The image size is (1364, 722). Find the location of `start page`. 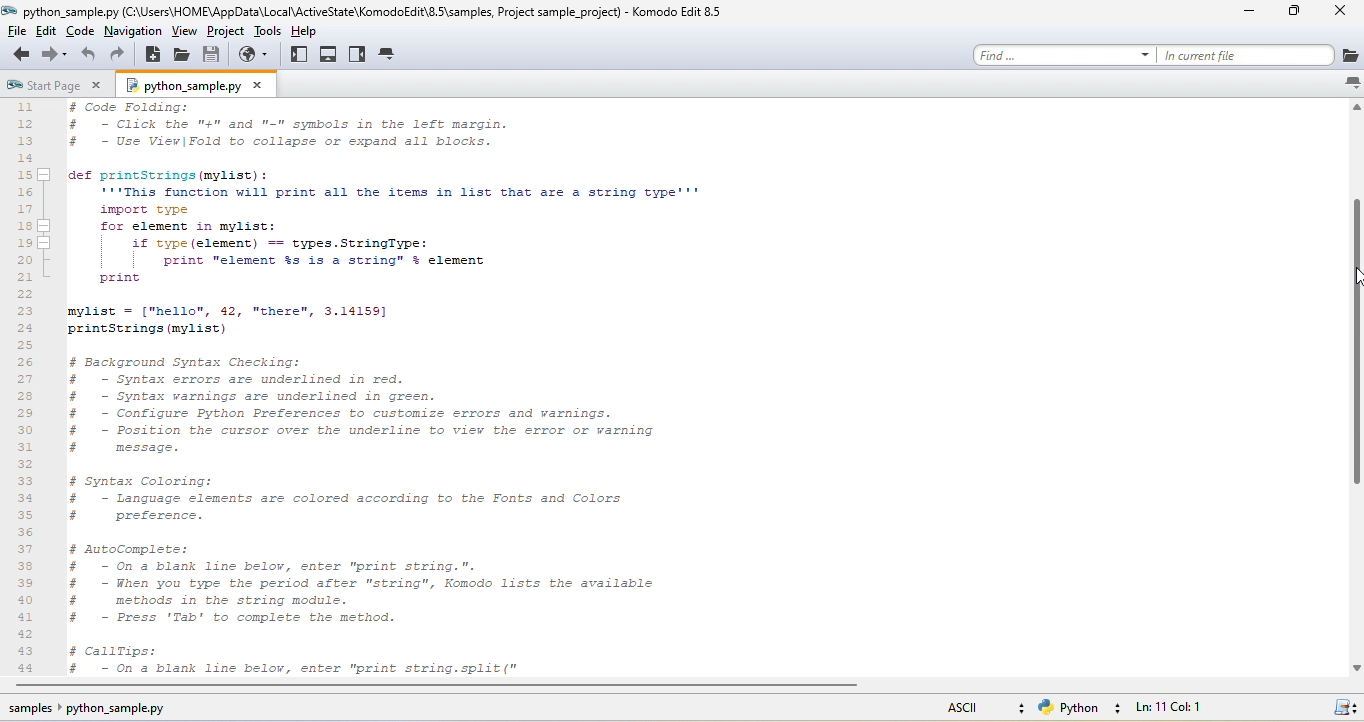

start page is located at coordinates (56, 84).